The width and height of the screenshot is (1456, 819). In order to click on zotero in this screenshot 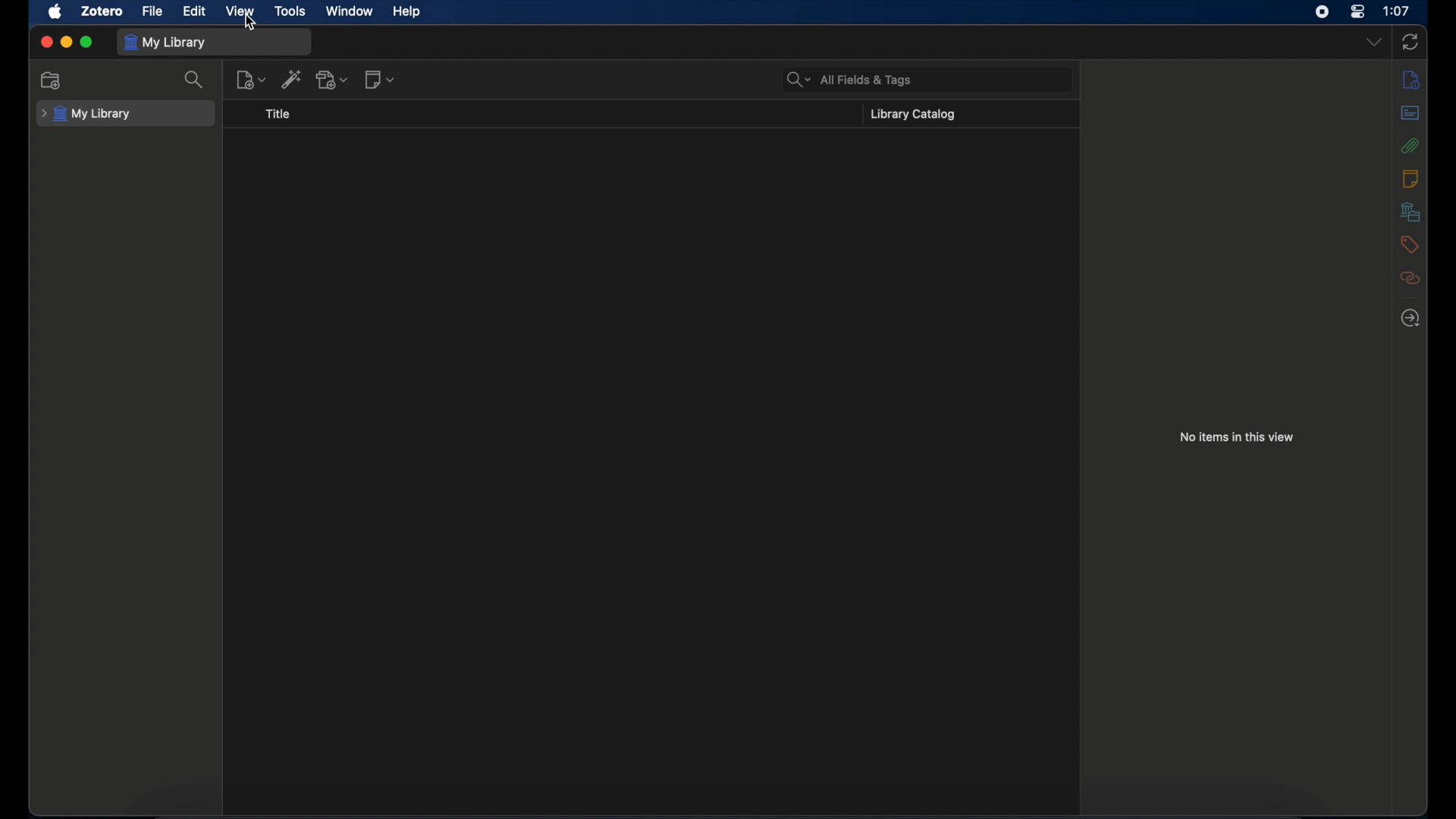, I will do `click(102, 11)`.